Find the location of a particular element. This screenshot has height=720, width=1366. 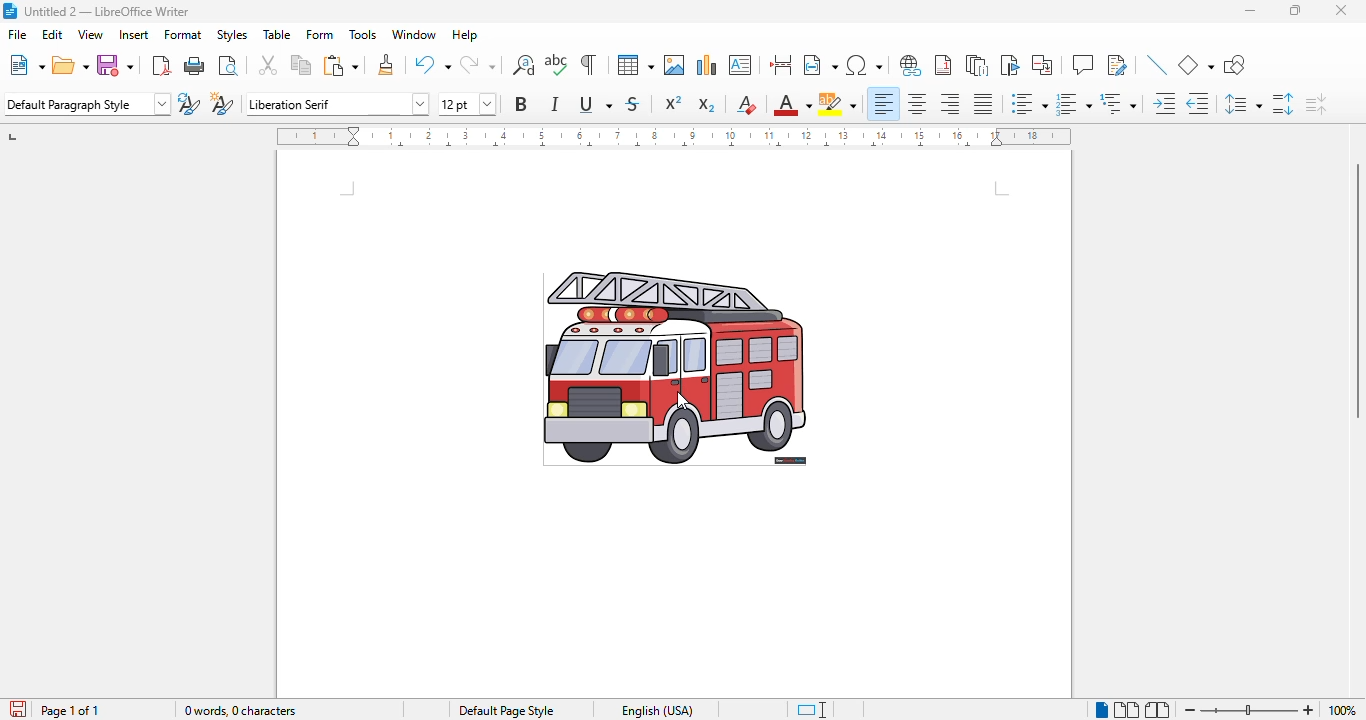

toggle ordered list is located at coordinates (1073, 104).